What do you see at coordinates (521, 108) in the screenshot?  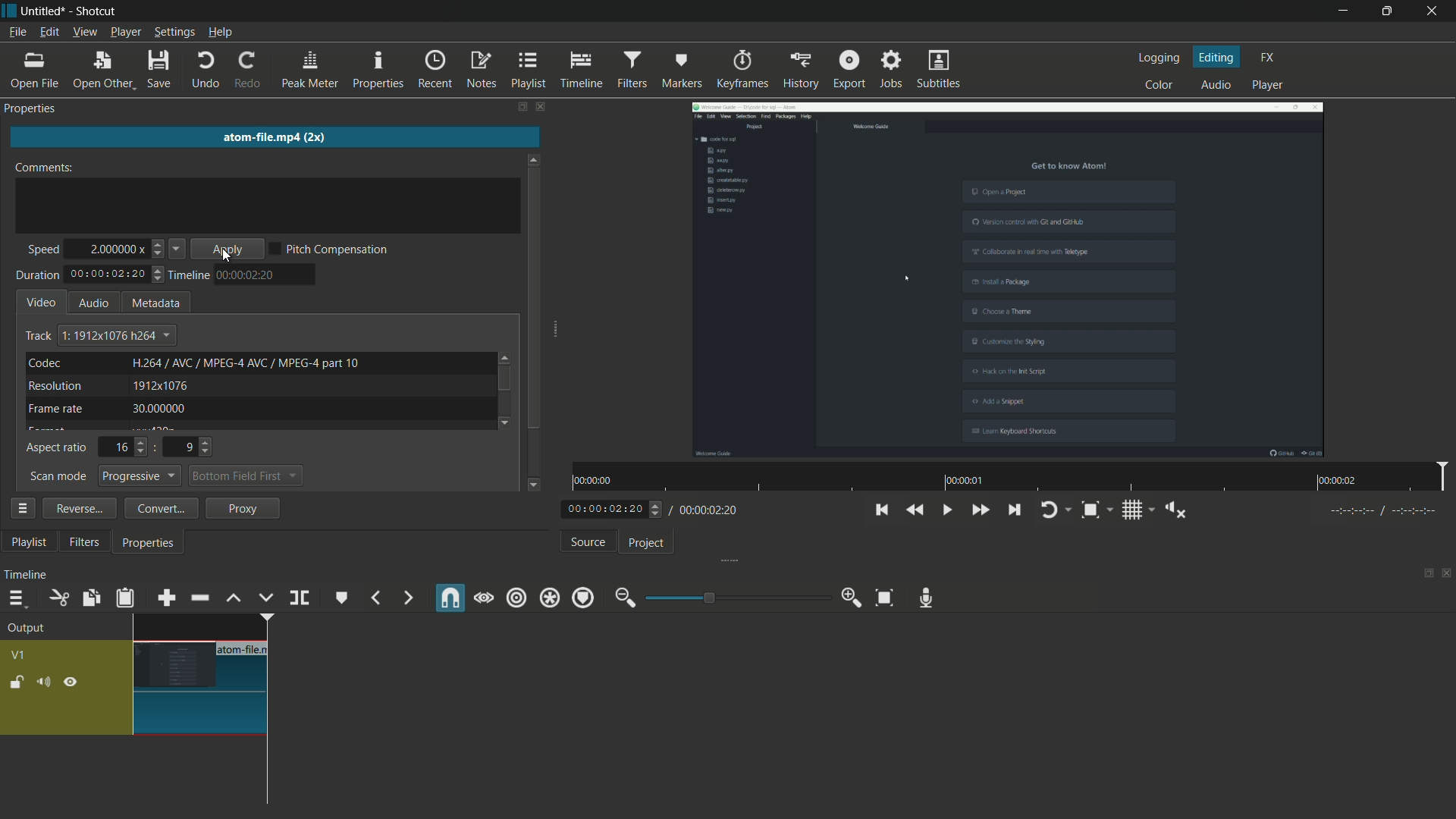 I see `change layout` at bounding box center [521, 108].